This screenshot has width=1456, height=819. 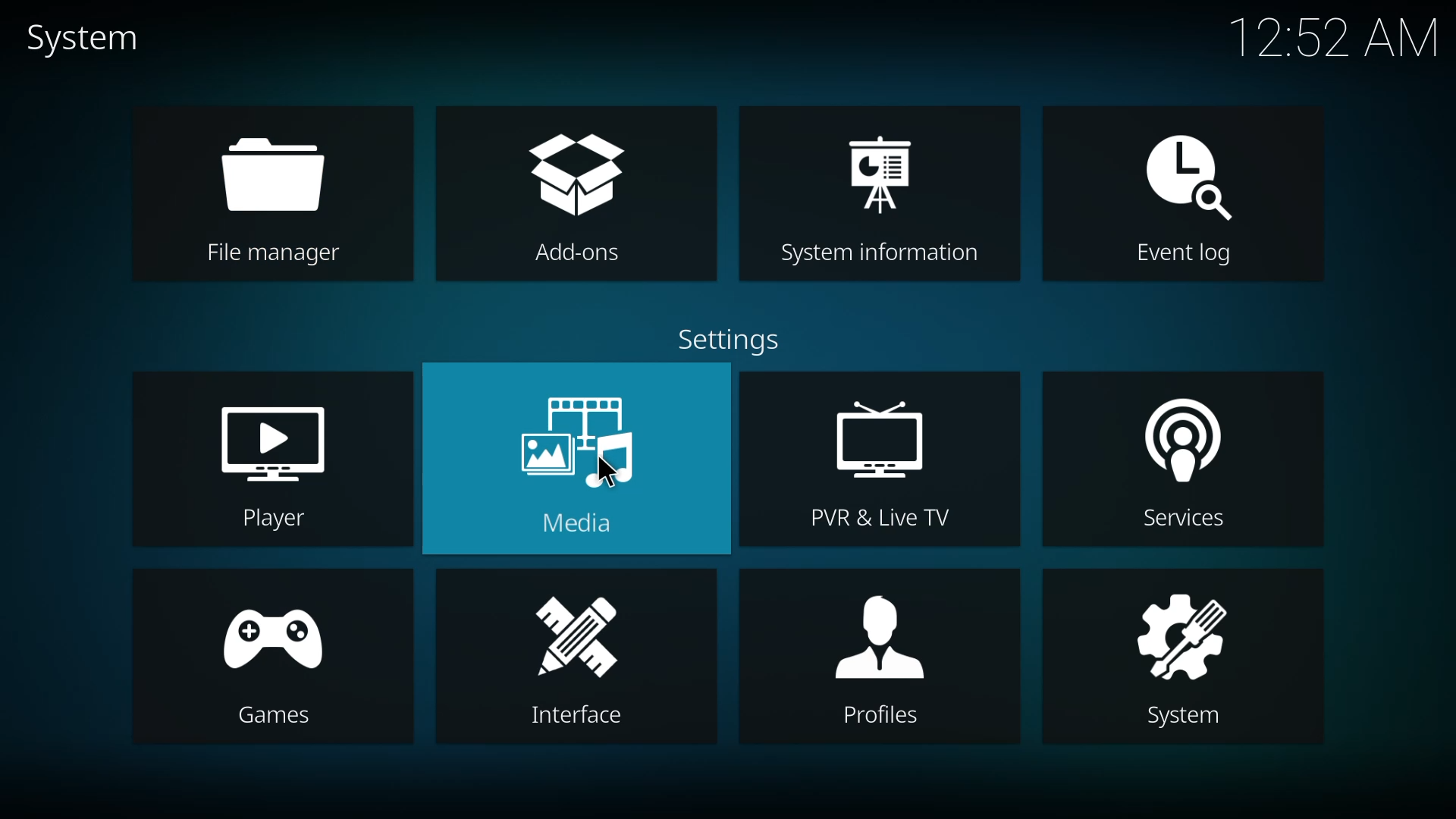 I want to click on Games, so click(x=271, y=715).